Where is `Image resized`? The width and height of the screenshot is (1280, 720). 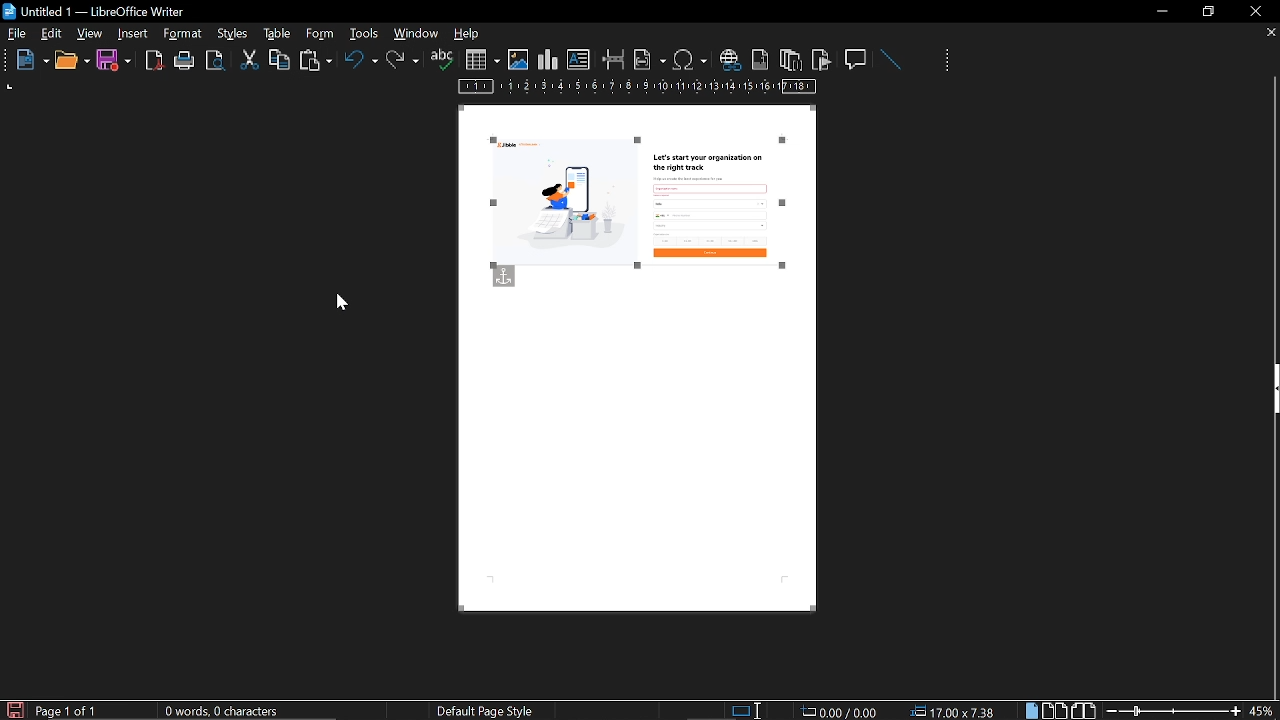
Image resized is located at coordinates (638, 203).